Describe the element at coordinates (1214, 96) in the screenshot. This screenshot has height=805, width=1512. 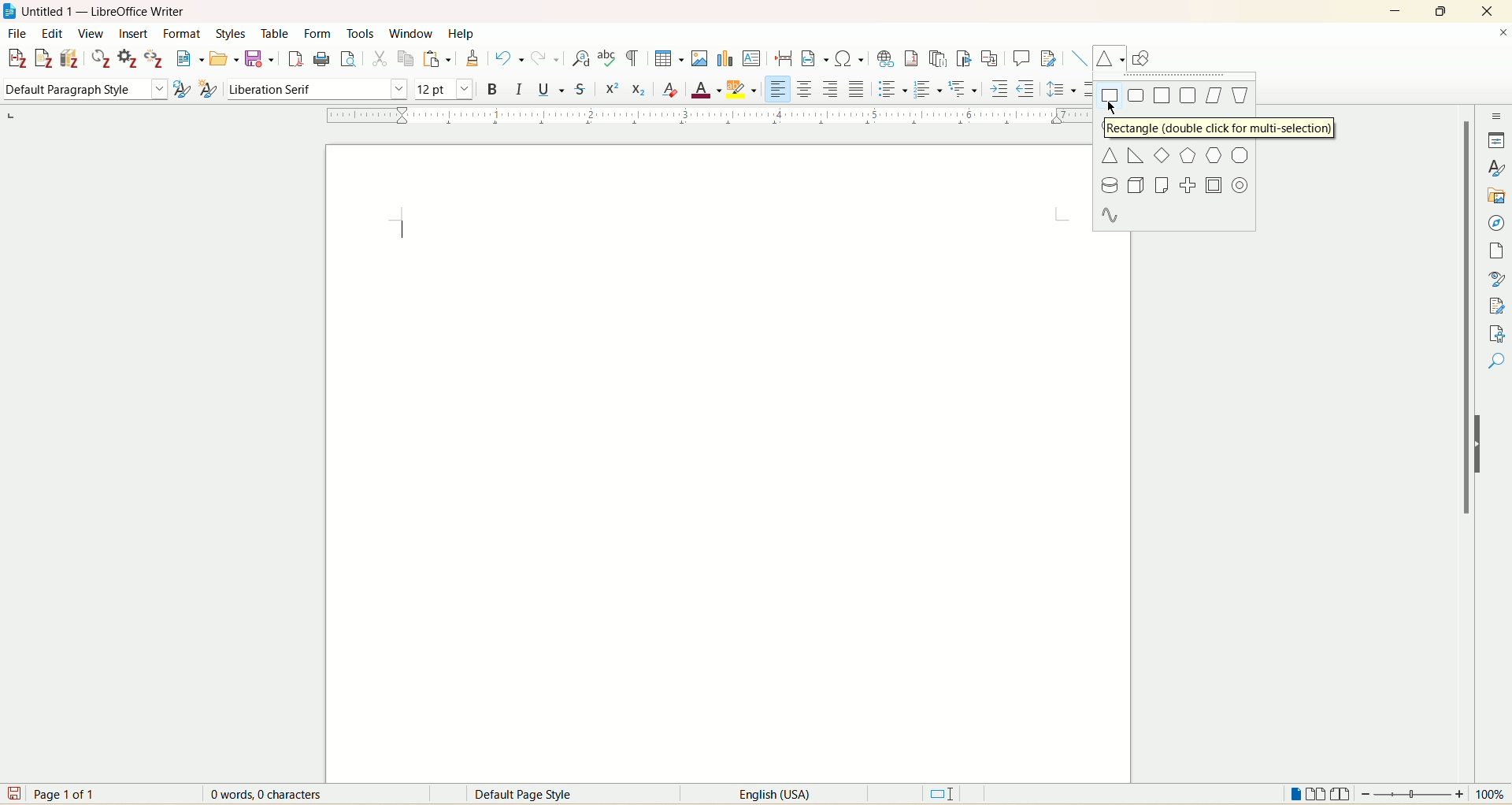
I see `parallelogram` at that location.